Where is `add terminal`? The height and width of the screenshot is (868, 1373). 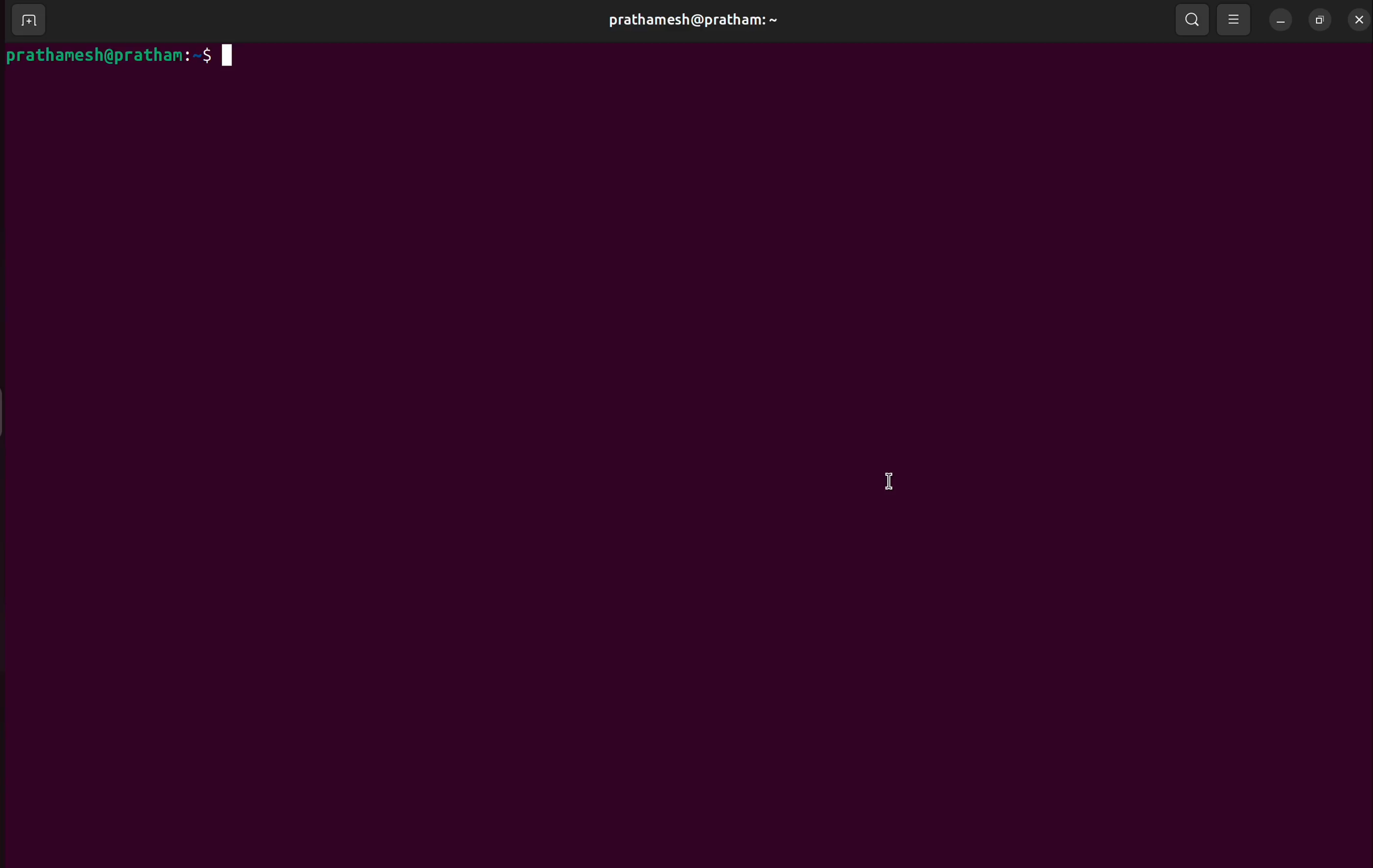 add terminal is located at coordinates (28, 21).